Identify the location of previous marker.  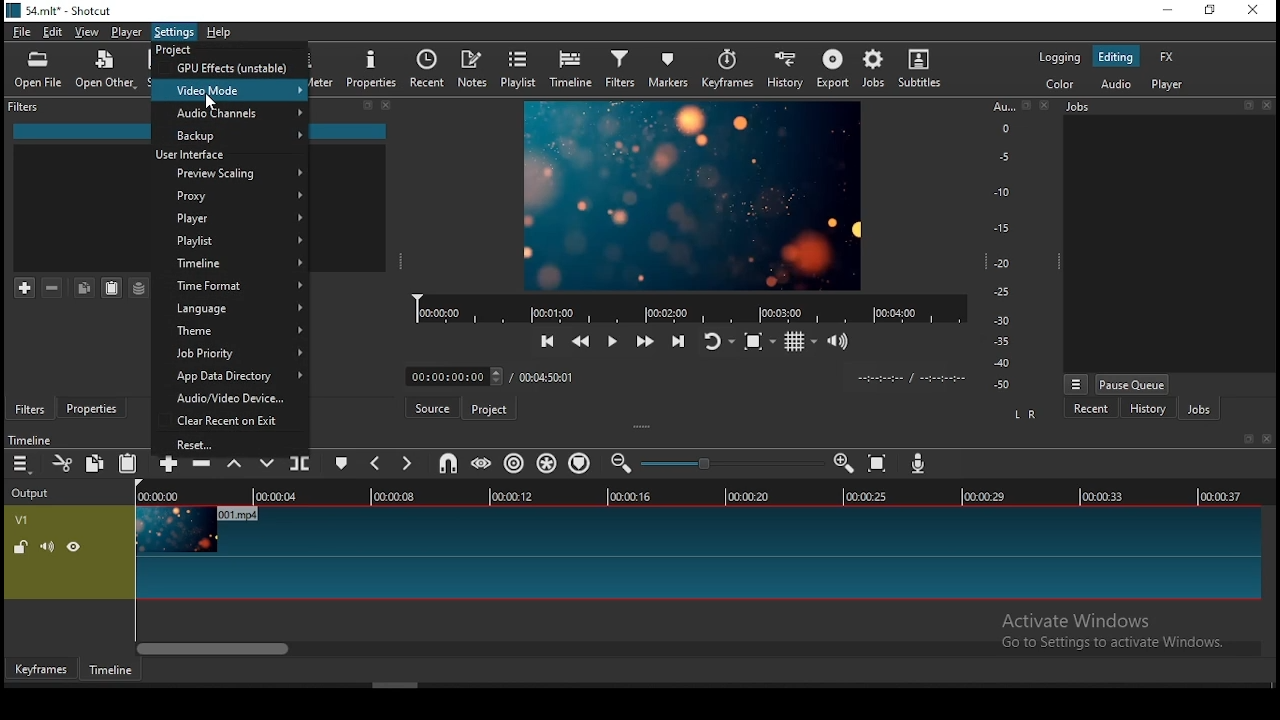
(374, 462).